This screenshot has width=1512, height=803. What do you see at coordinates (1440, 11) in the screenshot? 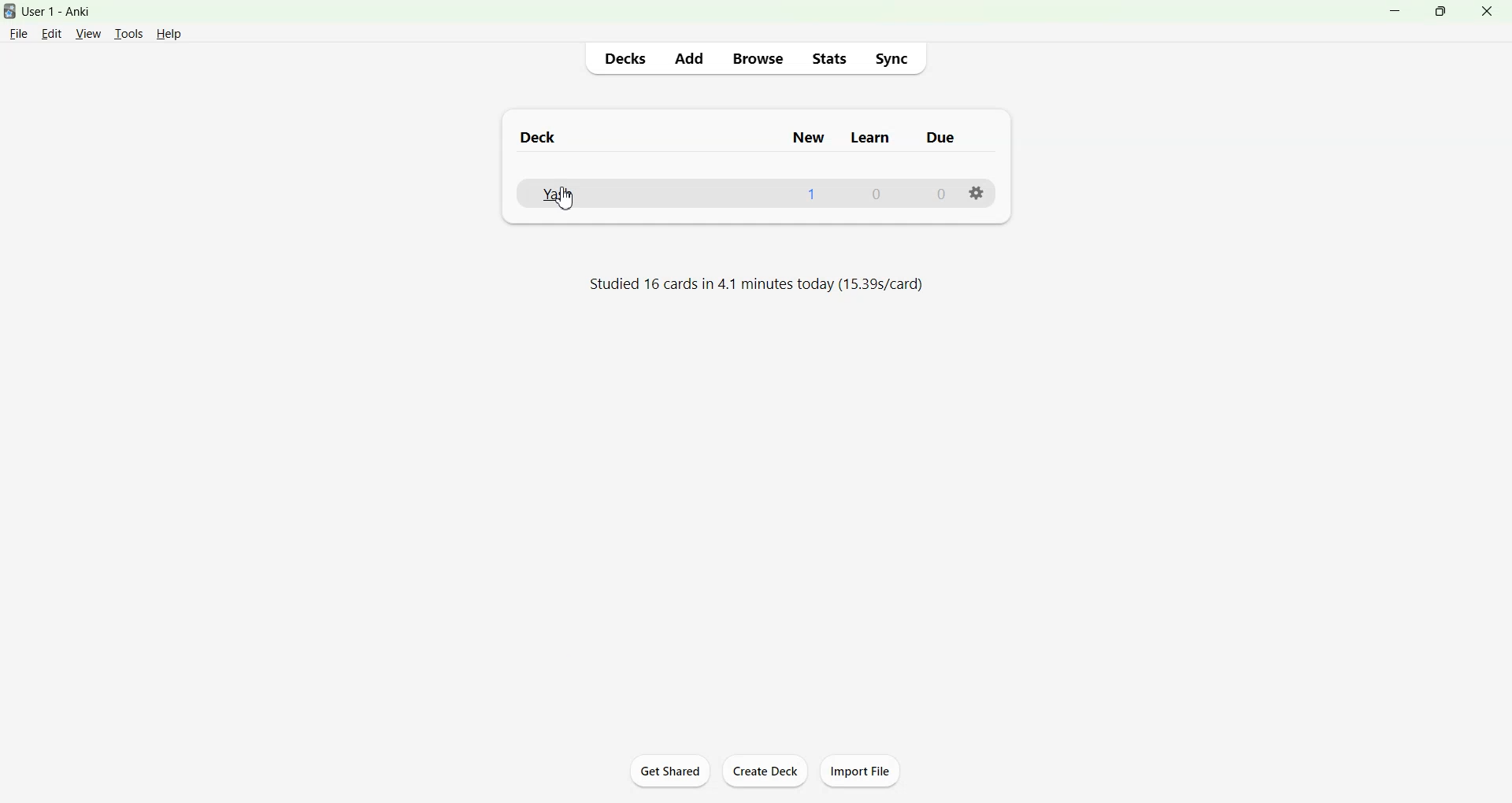
I see `Maximize` at bounding box center [1440, 11].